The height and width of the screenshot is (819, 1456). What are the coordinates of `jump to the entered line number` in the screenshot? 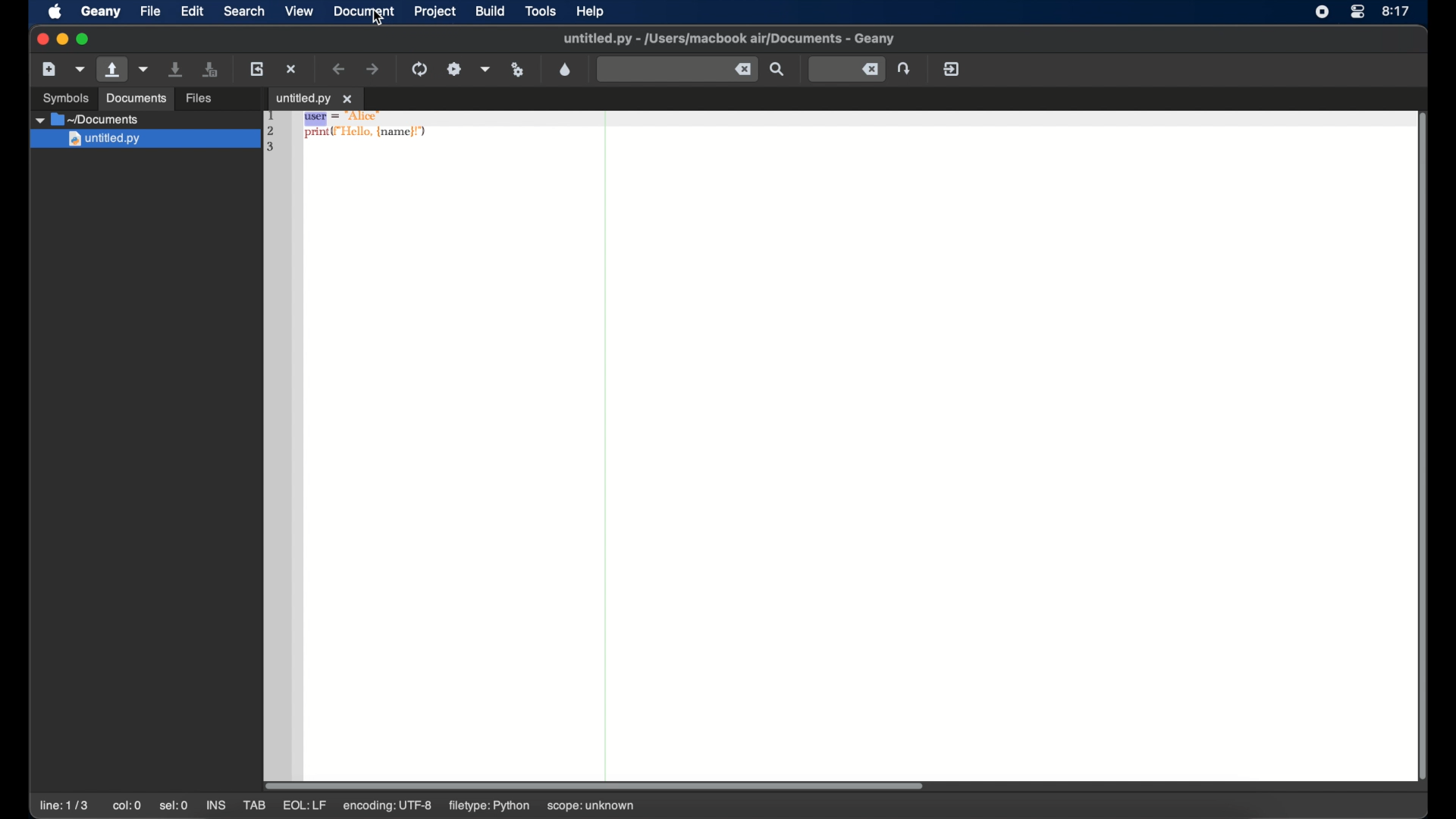 It's located at (904, 68).